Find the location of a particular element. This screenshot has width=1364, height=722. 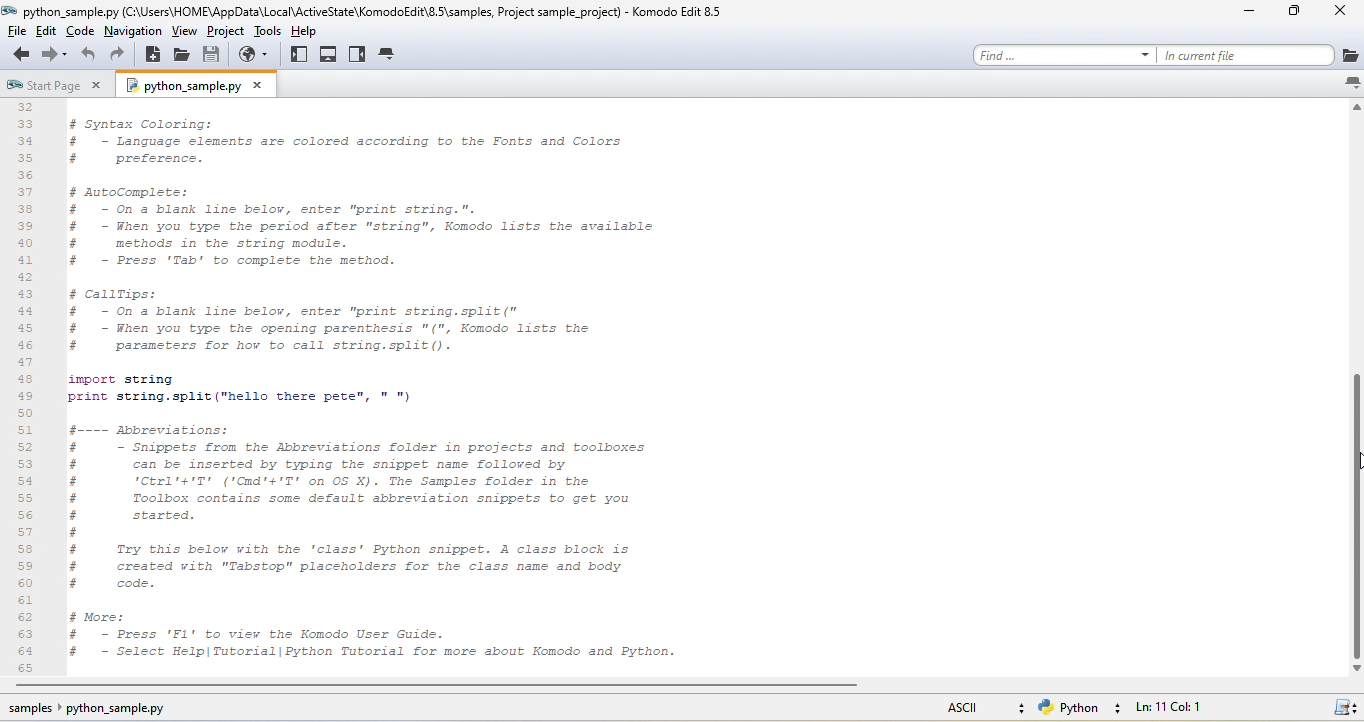

left pane is located at coordinates (298, 55).